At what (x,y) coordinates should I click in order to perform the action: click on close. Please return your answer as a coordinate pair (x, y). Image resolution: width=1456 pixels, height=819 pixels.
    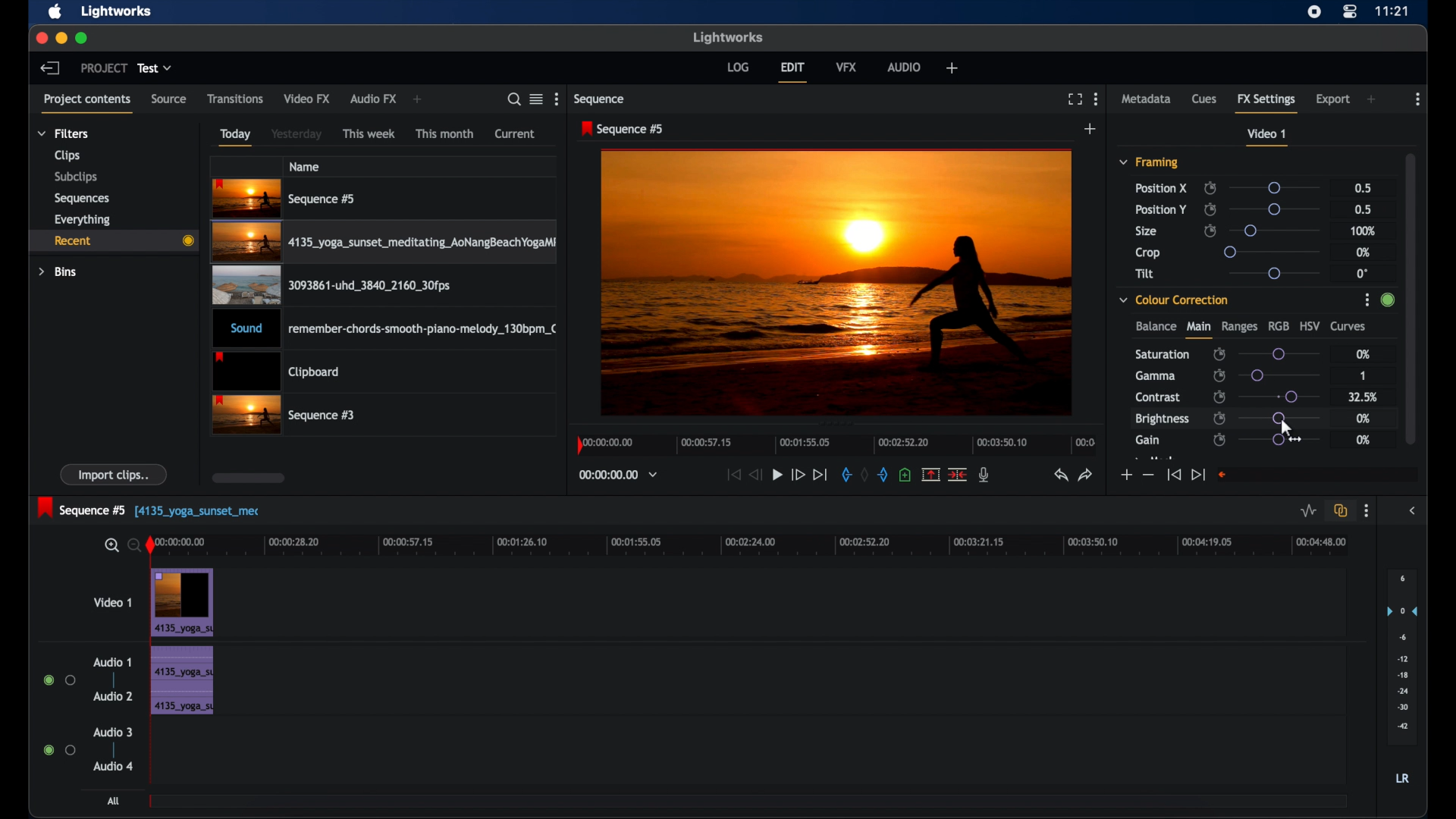
    Looking at the image, I should click on (40, 37).